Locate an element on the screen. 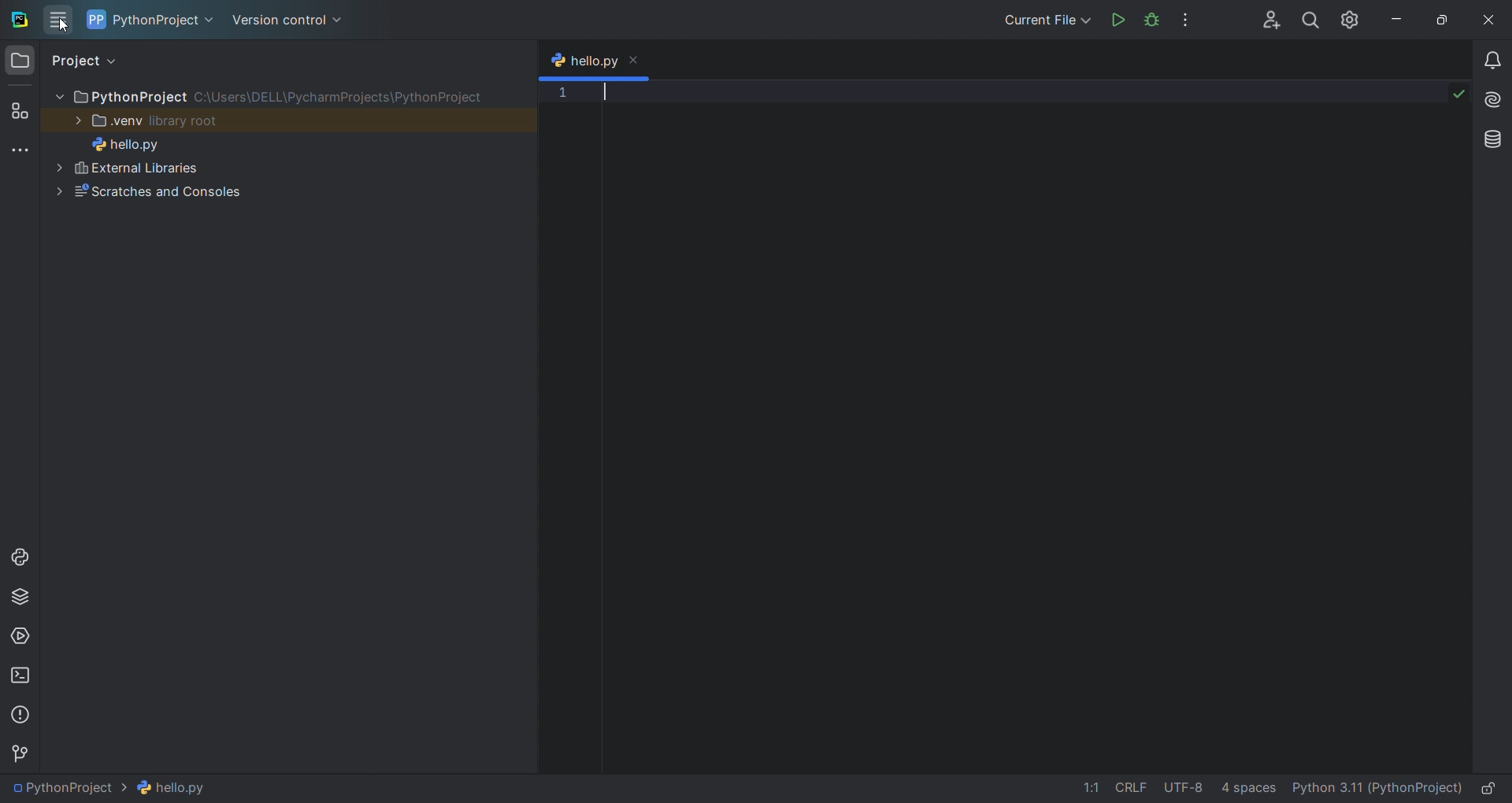  code editor is located at coordinates (1003, 425).